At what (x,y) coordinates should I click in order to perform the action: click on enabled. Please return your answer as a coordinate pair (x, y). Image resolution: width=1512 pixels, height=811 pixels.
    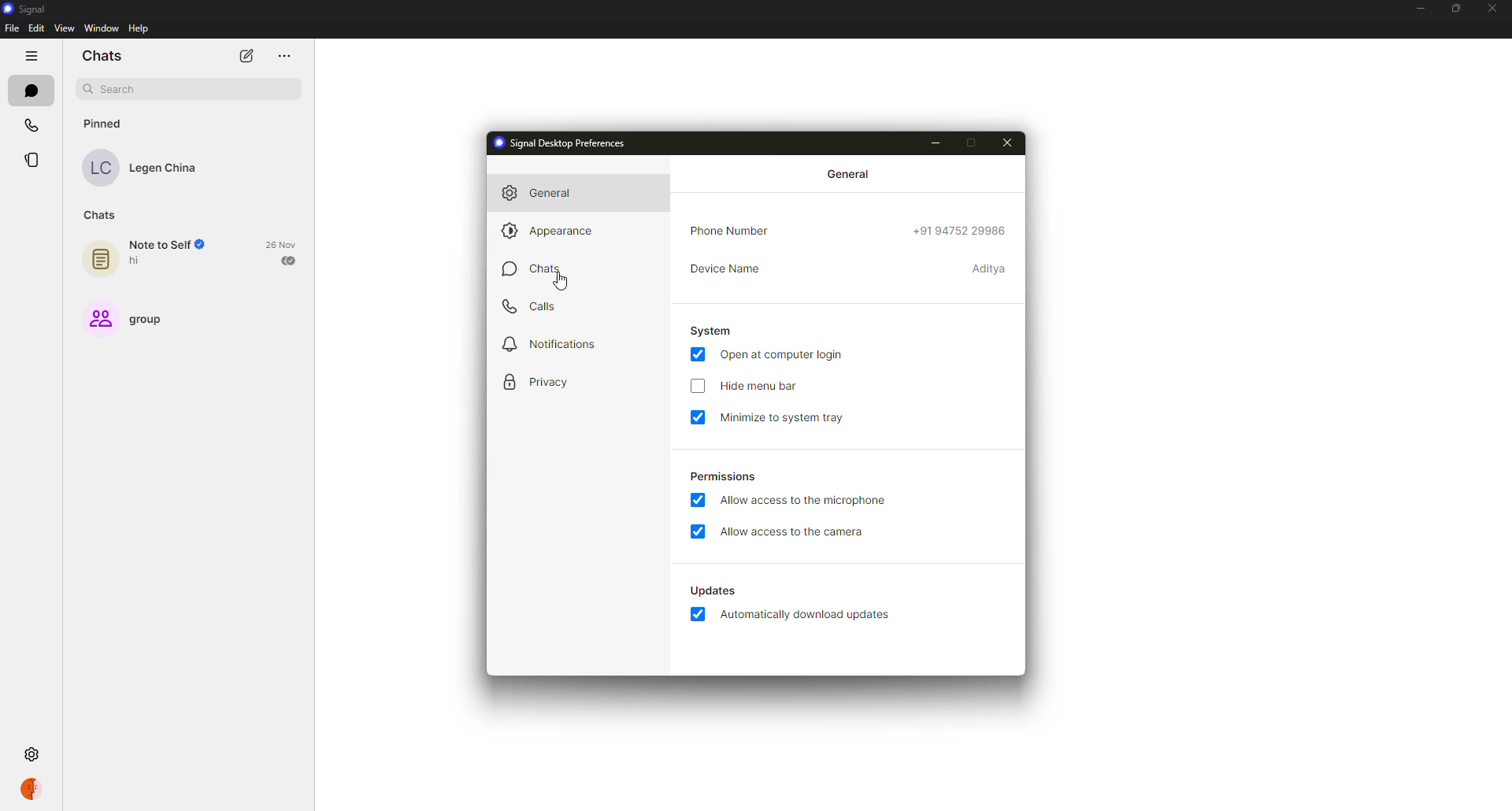
    Looking at the image, I should click on (700, 501).